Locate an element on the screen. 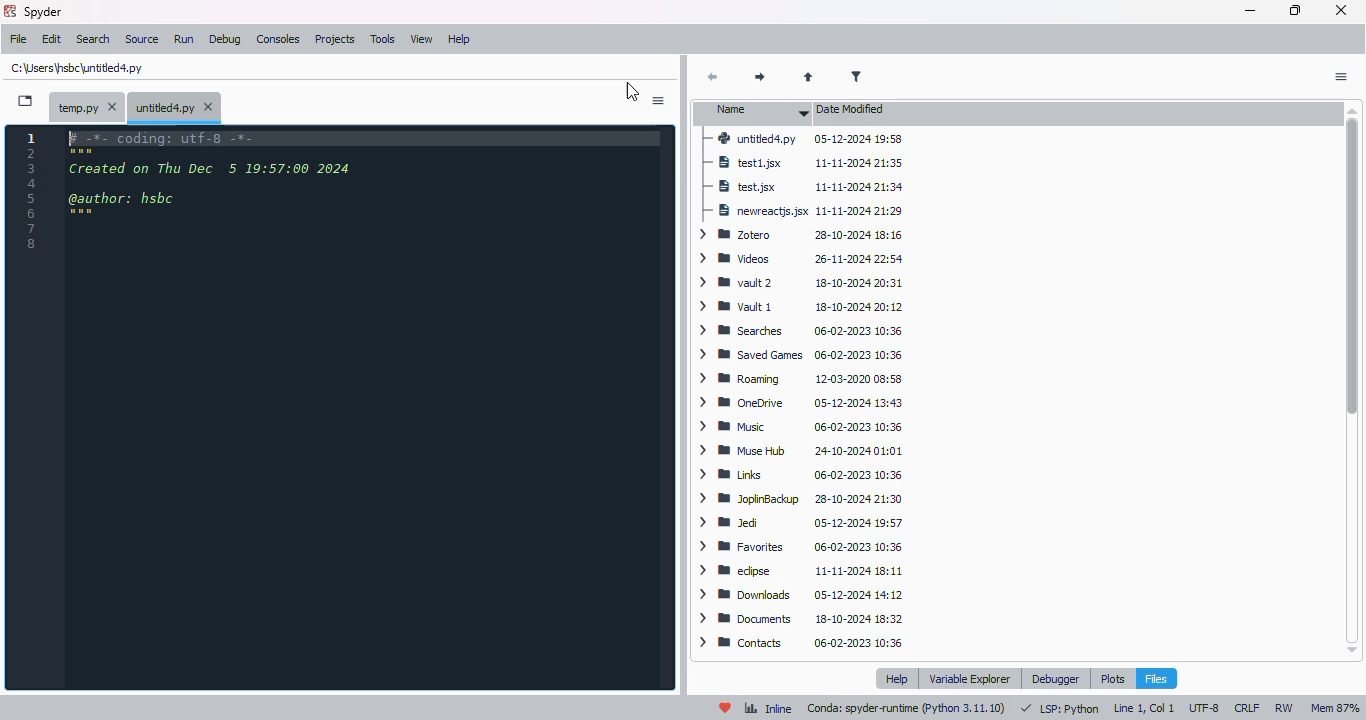 This screenshot has width=1366, height=720. help is located at coordinates (900, 678).